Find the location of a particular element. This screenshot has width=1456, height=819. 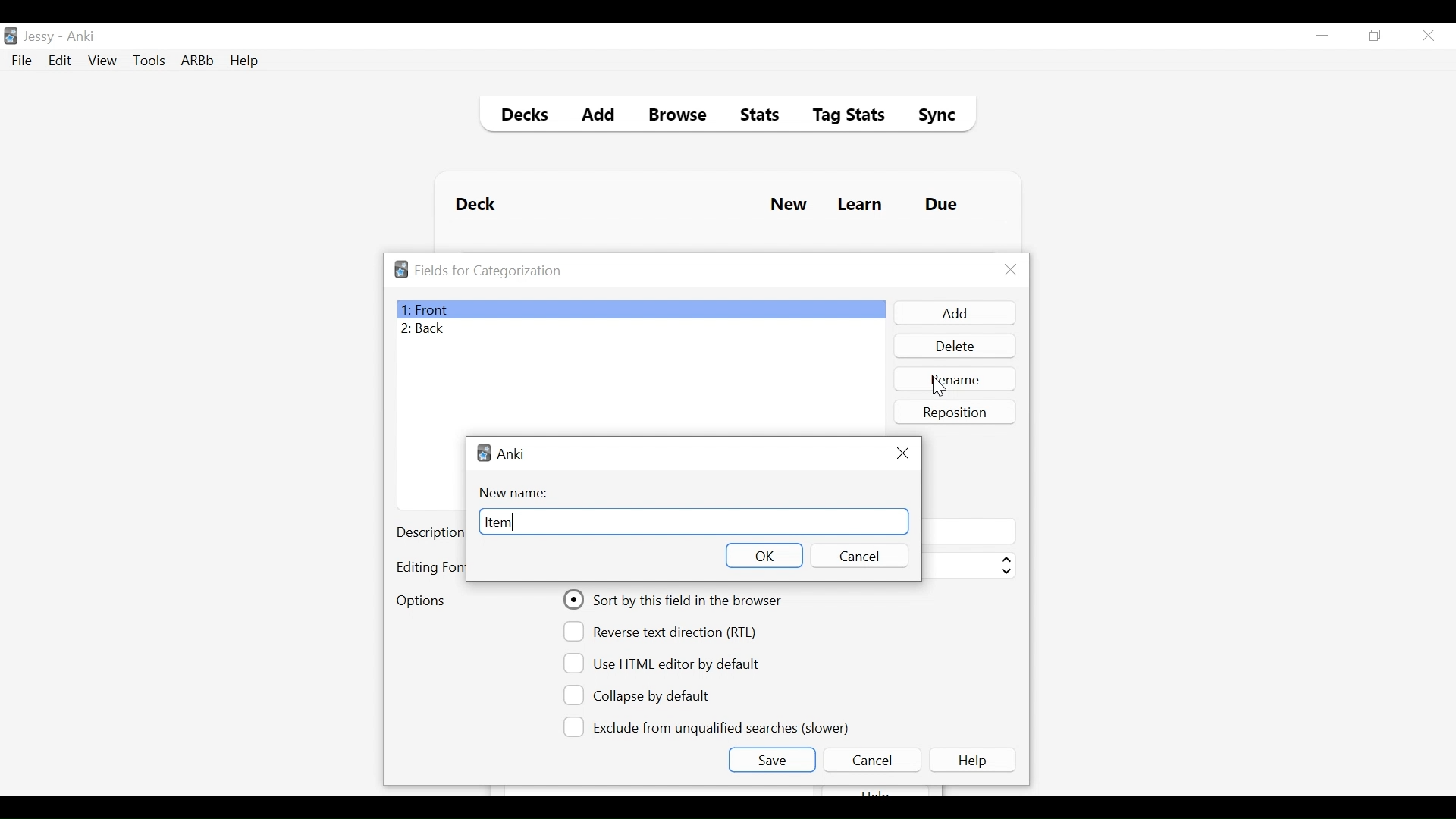

Options is located at coordinates (420, 602).